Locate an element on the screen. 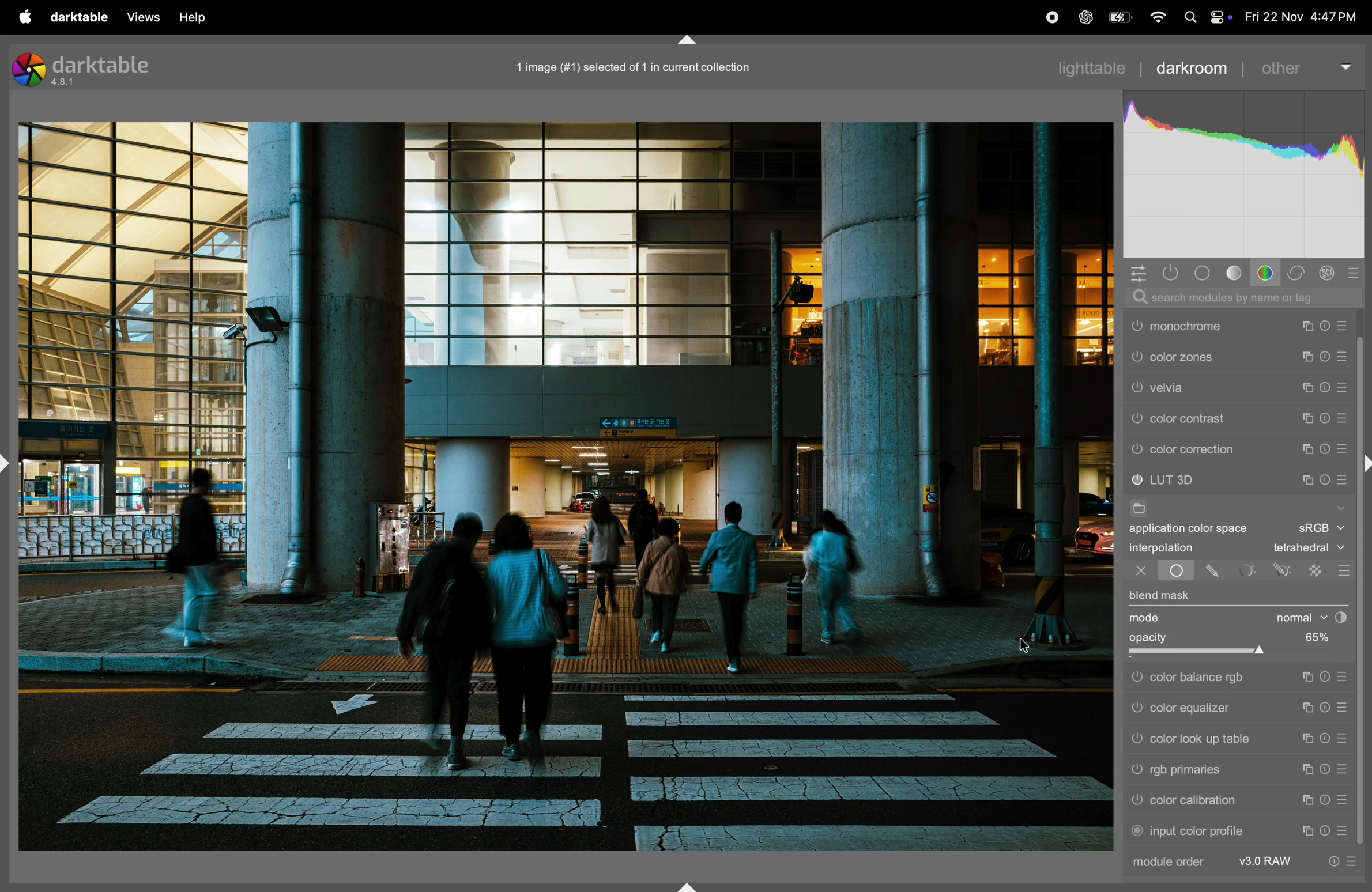 The width and height of the screenshot is (1372, 892). interpolation is located at coordinates (1173, 549).